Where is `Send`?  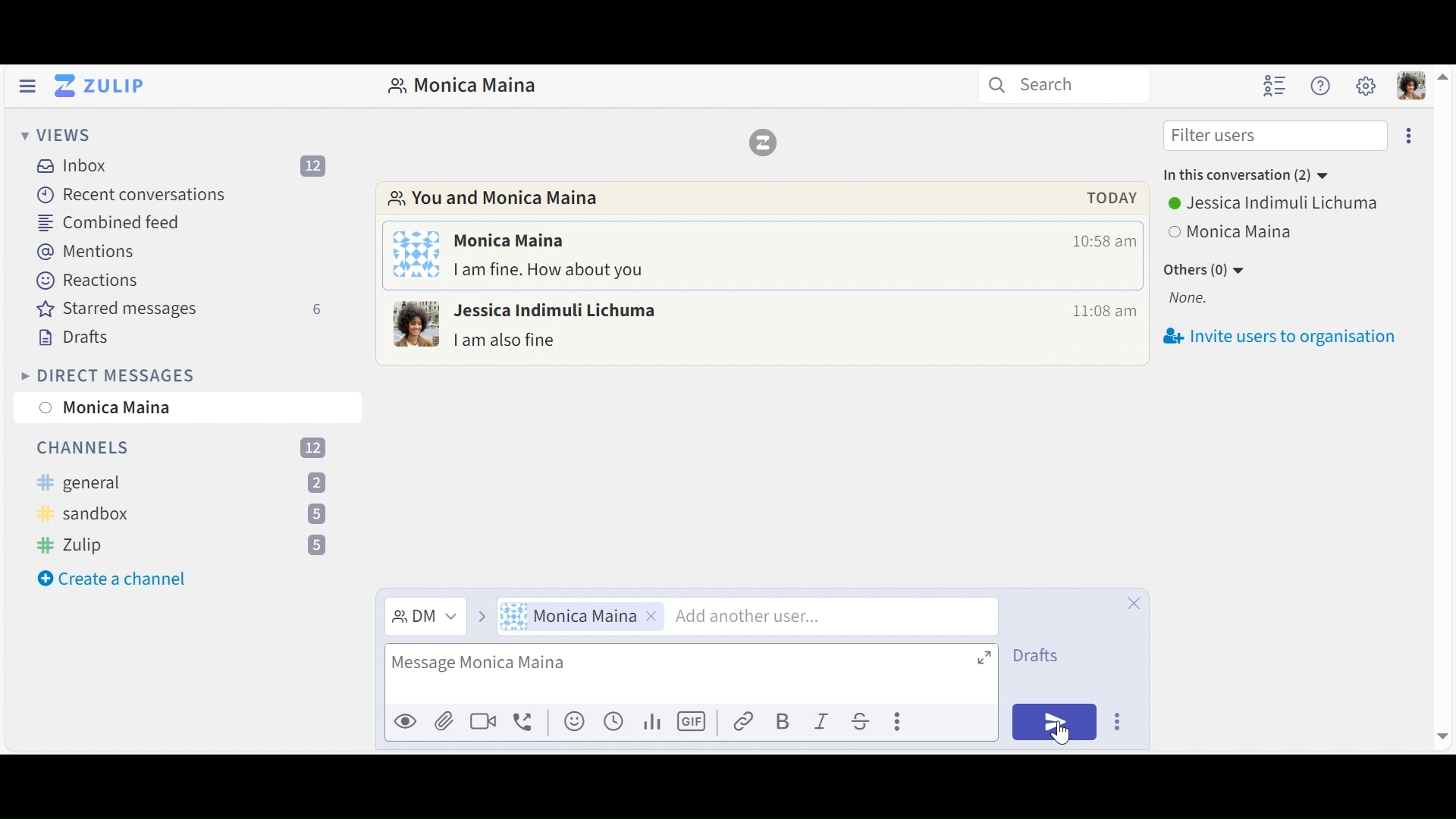 Send is located at coordinates (1053, 722).